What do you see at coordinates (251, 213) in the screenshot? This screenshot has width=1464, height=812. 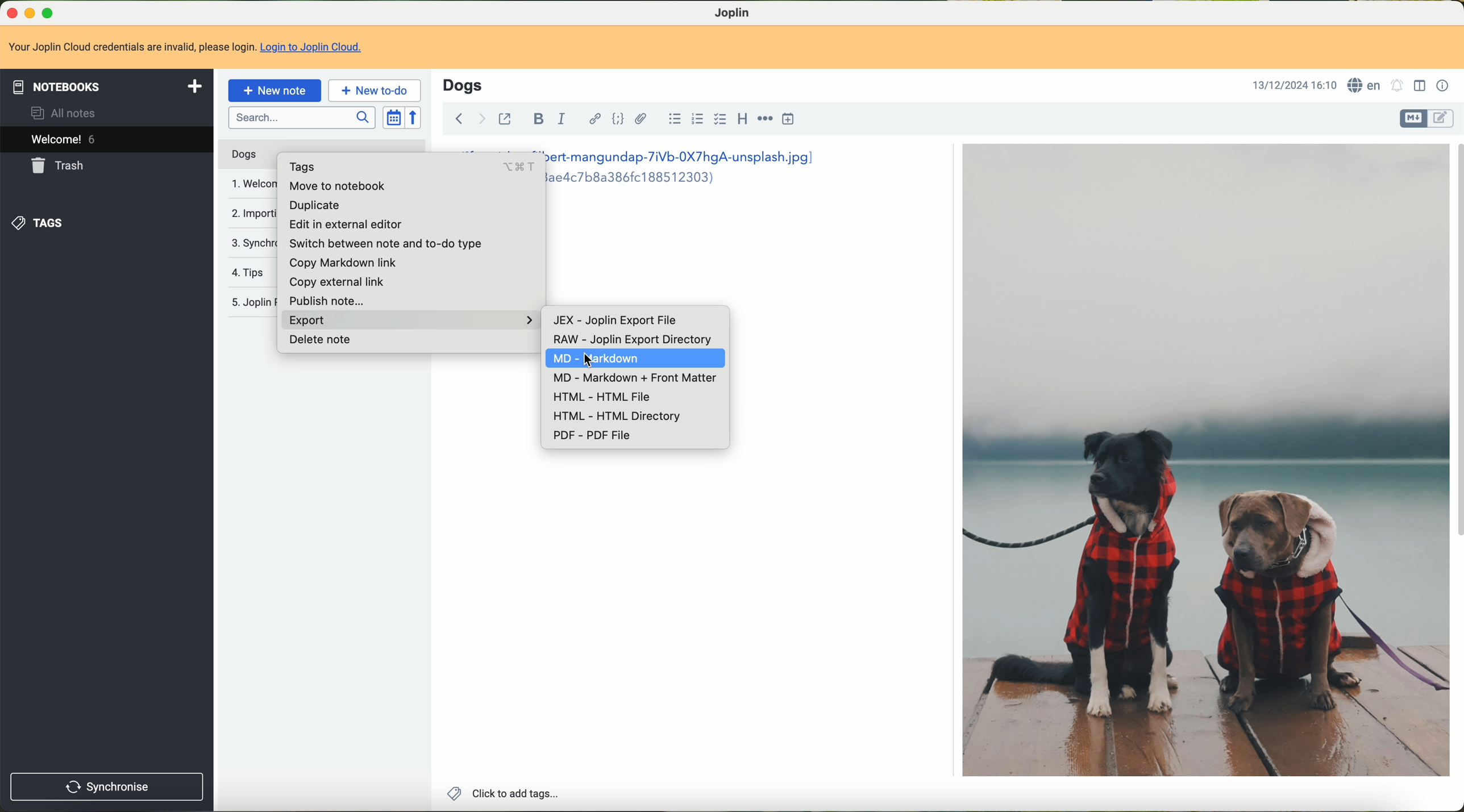 I see `importing and exporting notes` at bounding box center [251, 213].